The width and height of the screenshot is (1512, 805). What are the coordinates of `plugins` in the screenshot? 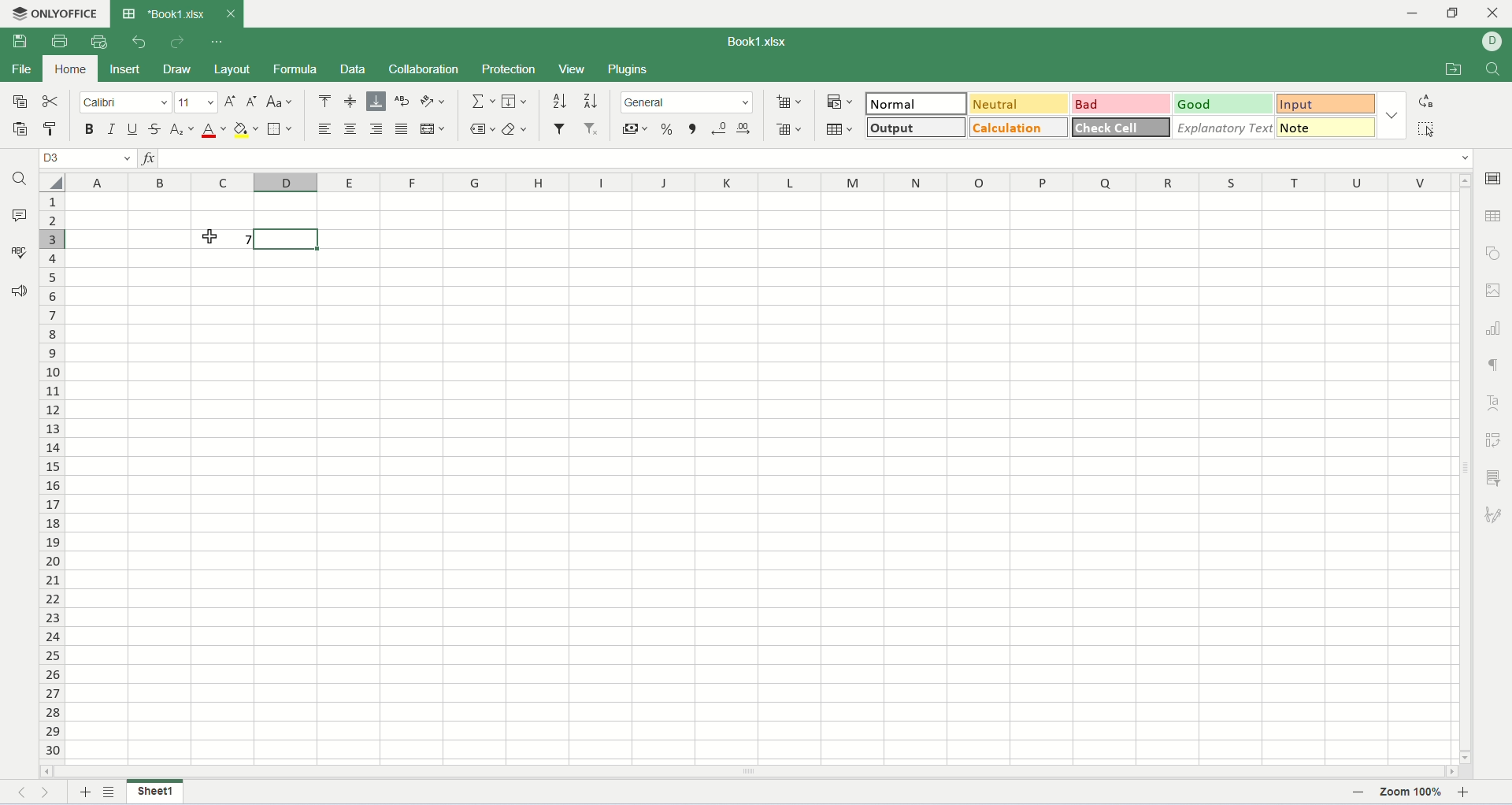 It's located at (647, 68).